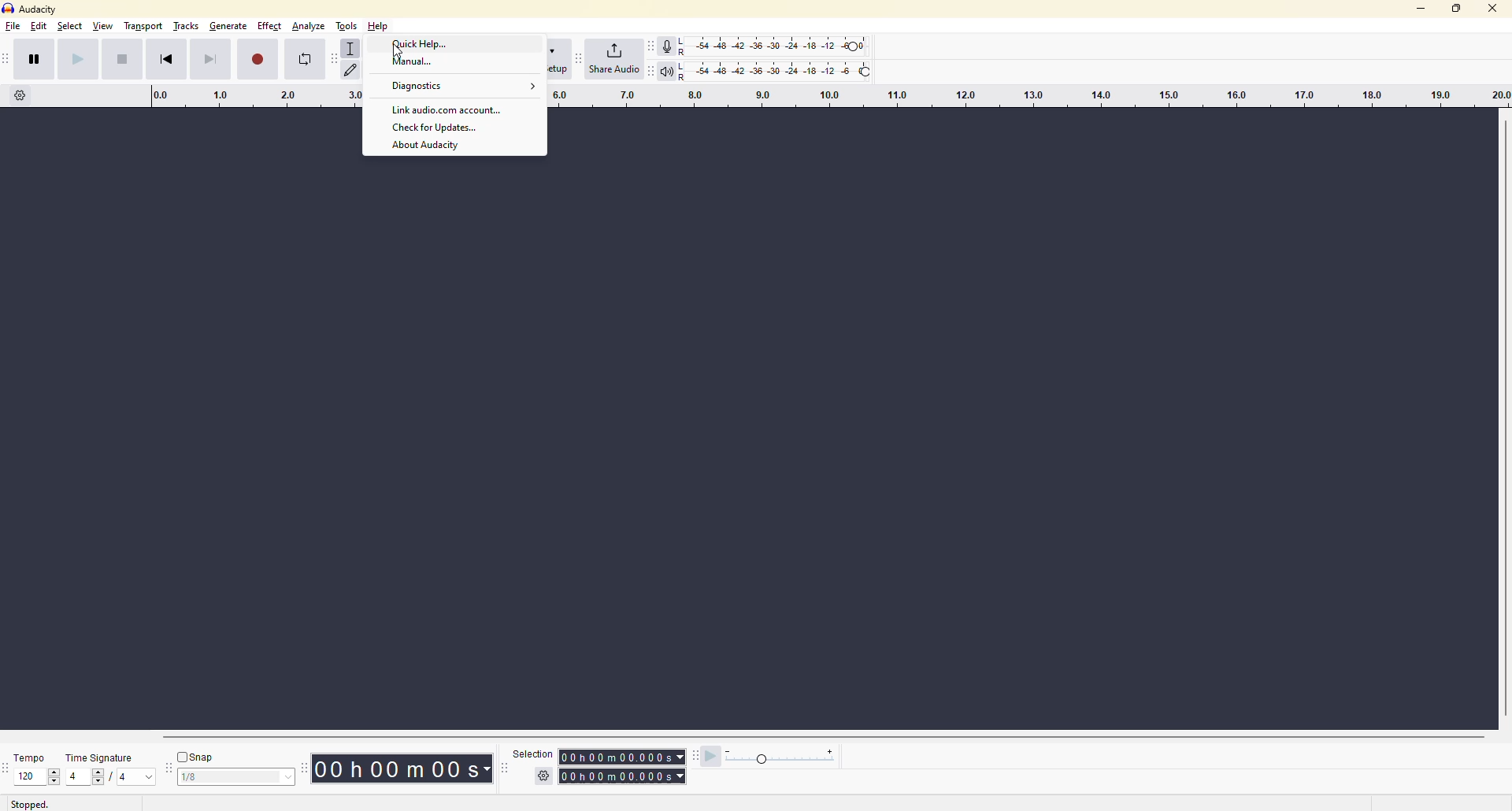  What do you see at coordinates (31, 780) in the screenshot?
I see `value` at bounding box center [31, 780].